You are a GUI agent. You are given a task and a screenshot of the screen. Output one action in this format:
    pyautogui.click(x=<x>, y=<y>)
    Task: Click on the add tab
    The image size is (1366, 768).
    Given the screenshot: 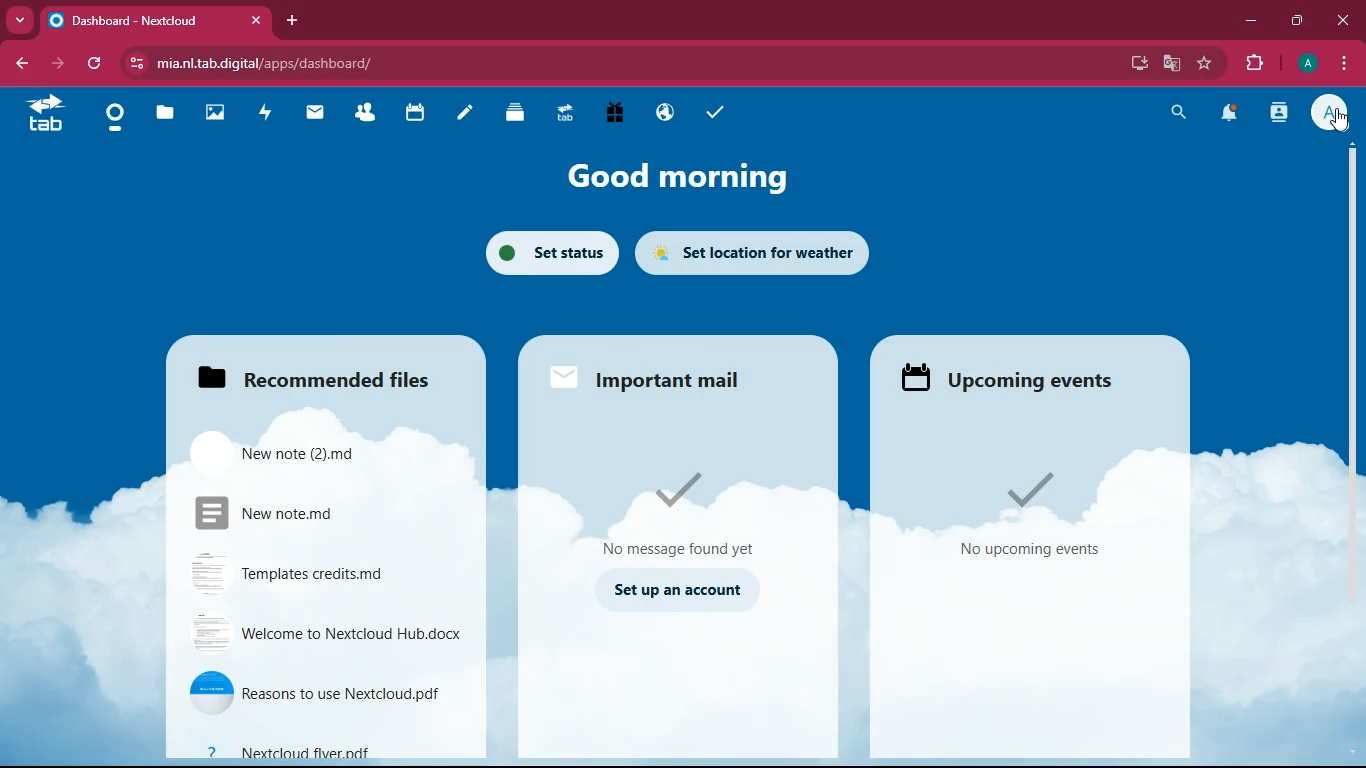 What is the action you would take?
    pyautogui.click(x=292, y=20)
    